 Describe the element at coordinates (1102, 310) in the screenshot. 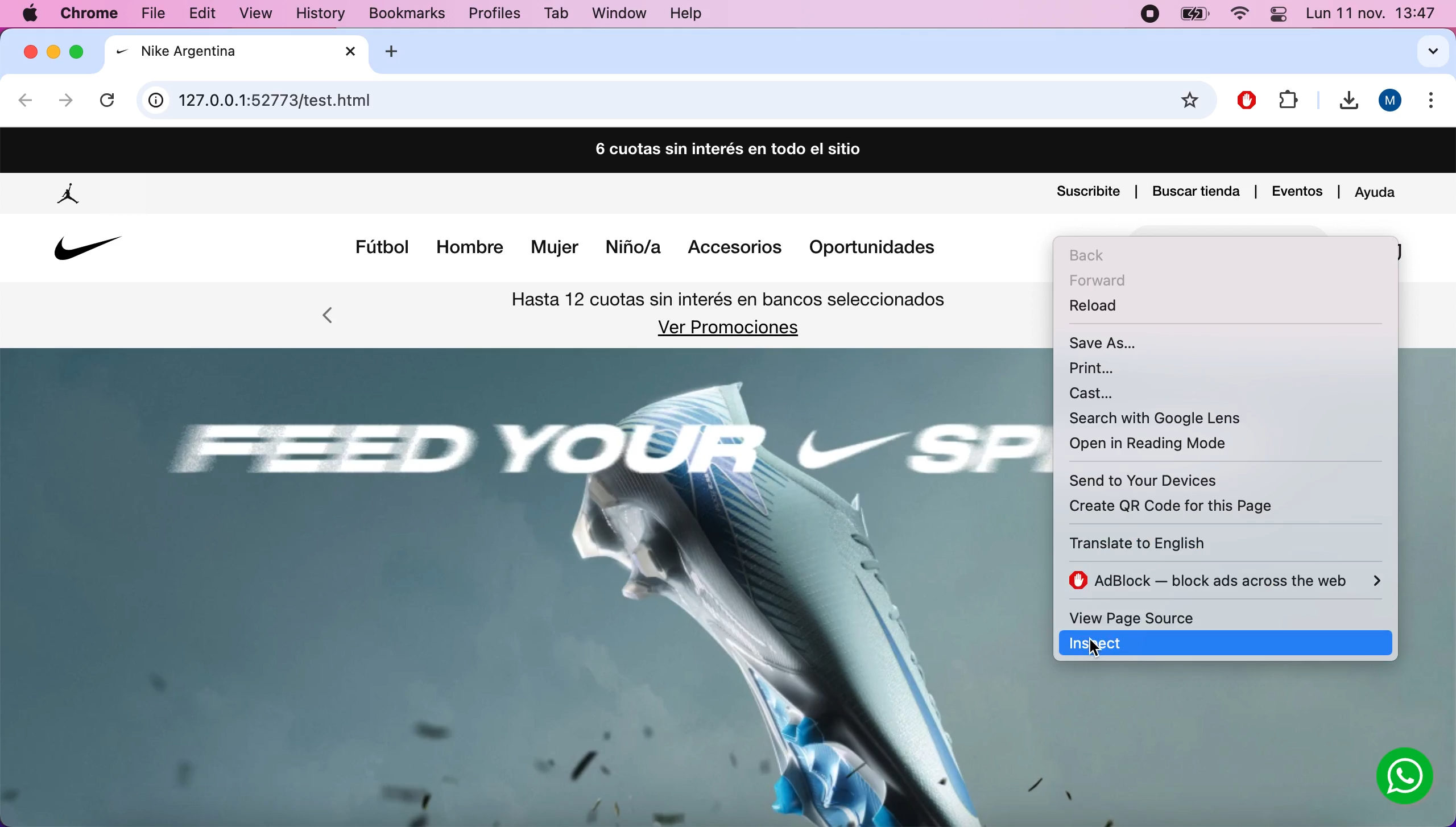

I see `reload` at that location.